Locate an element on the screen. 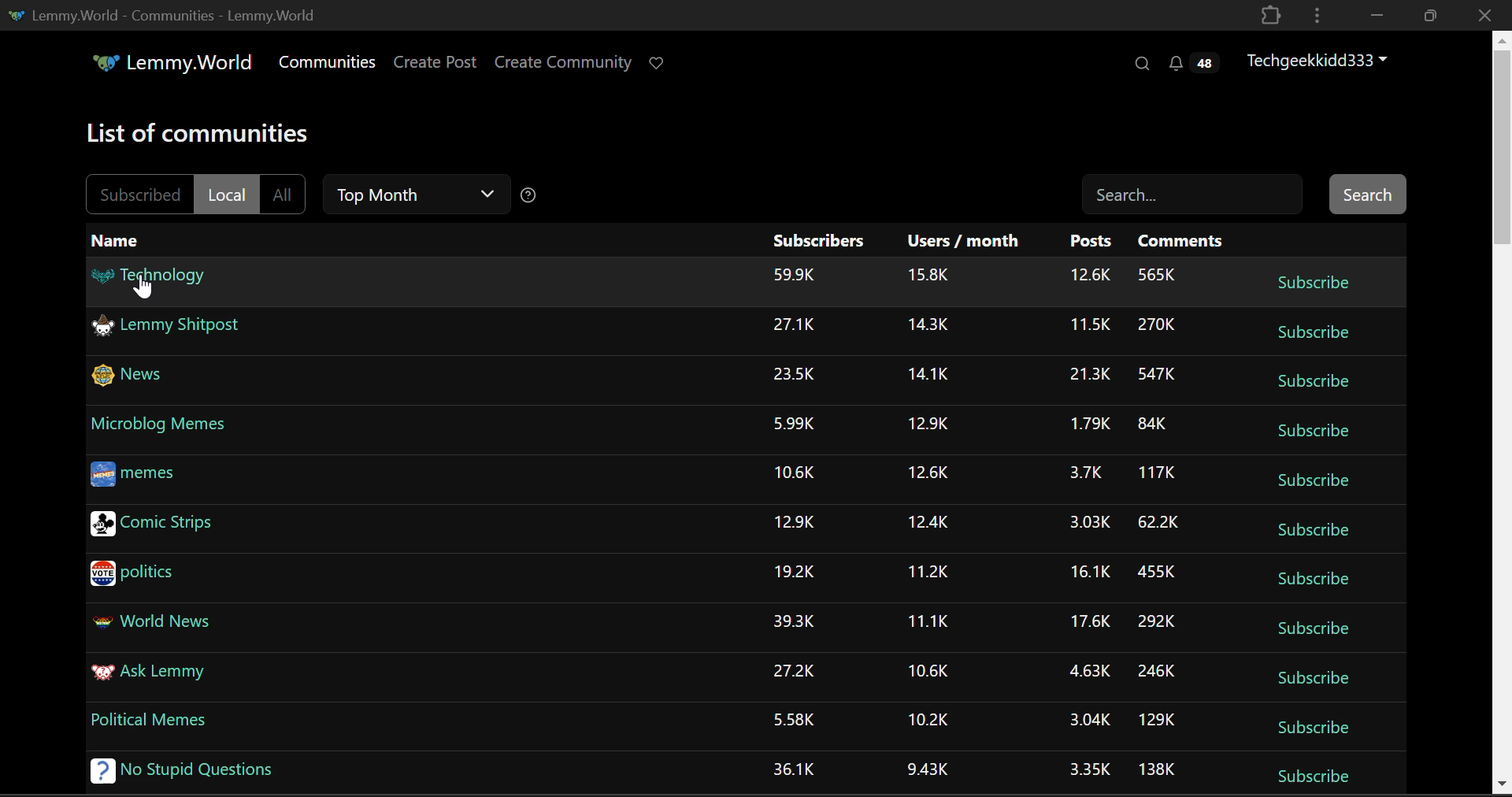 Image resolution: width=1512 pixels, height=797 pixels. Ask Lemmy is located at coordinates (147, 674).